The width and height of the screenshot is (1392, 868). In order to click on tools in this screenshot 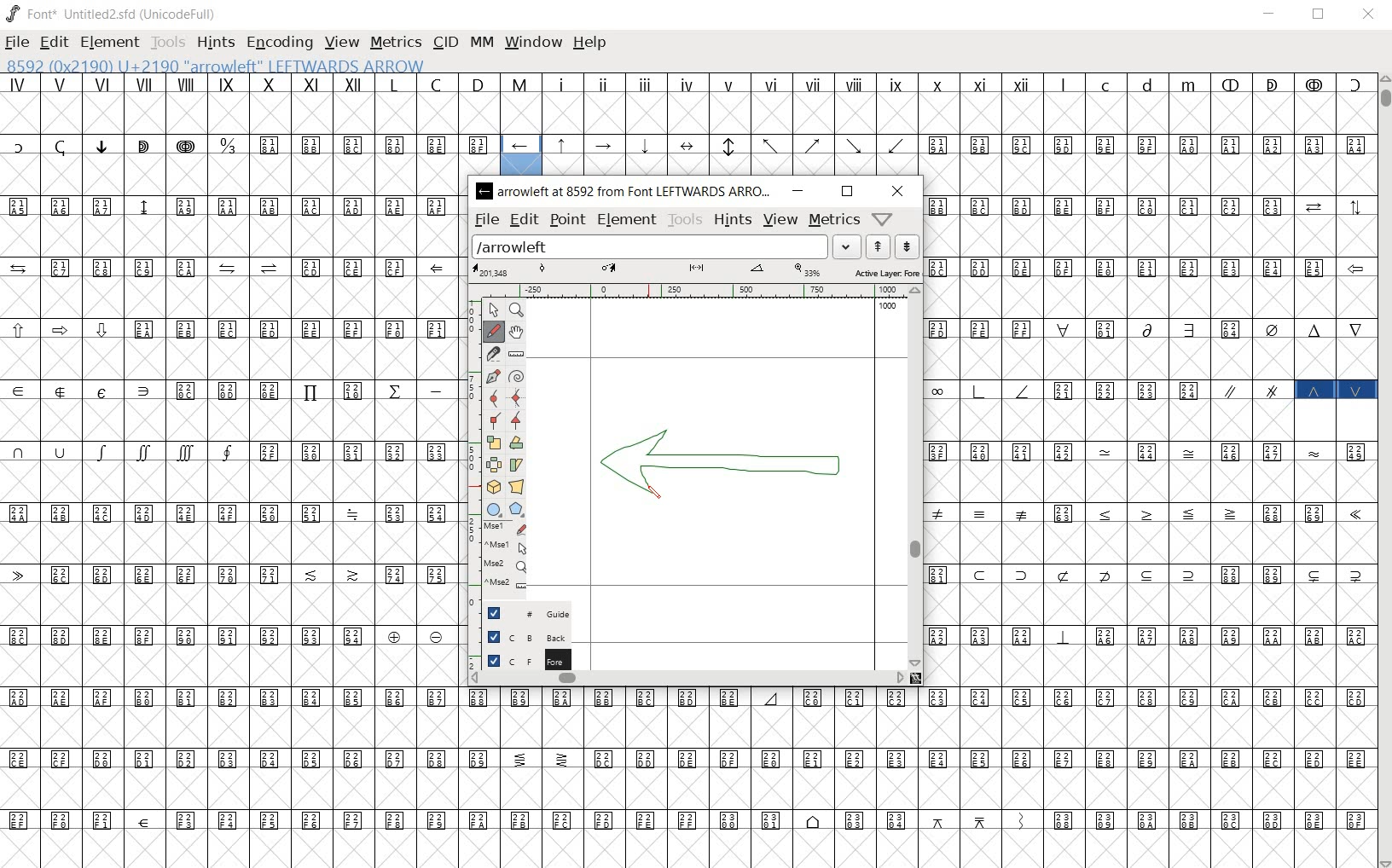, I will do `click(684, 219)`.